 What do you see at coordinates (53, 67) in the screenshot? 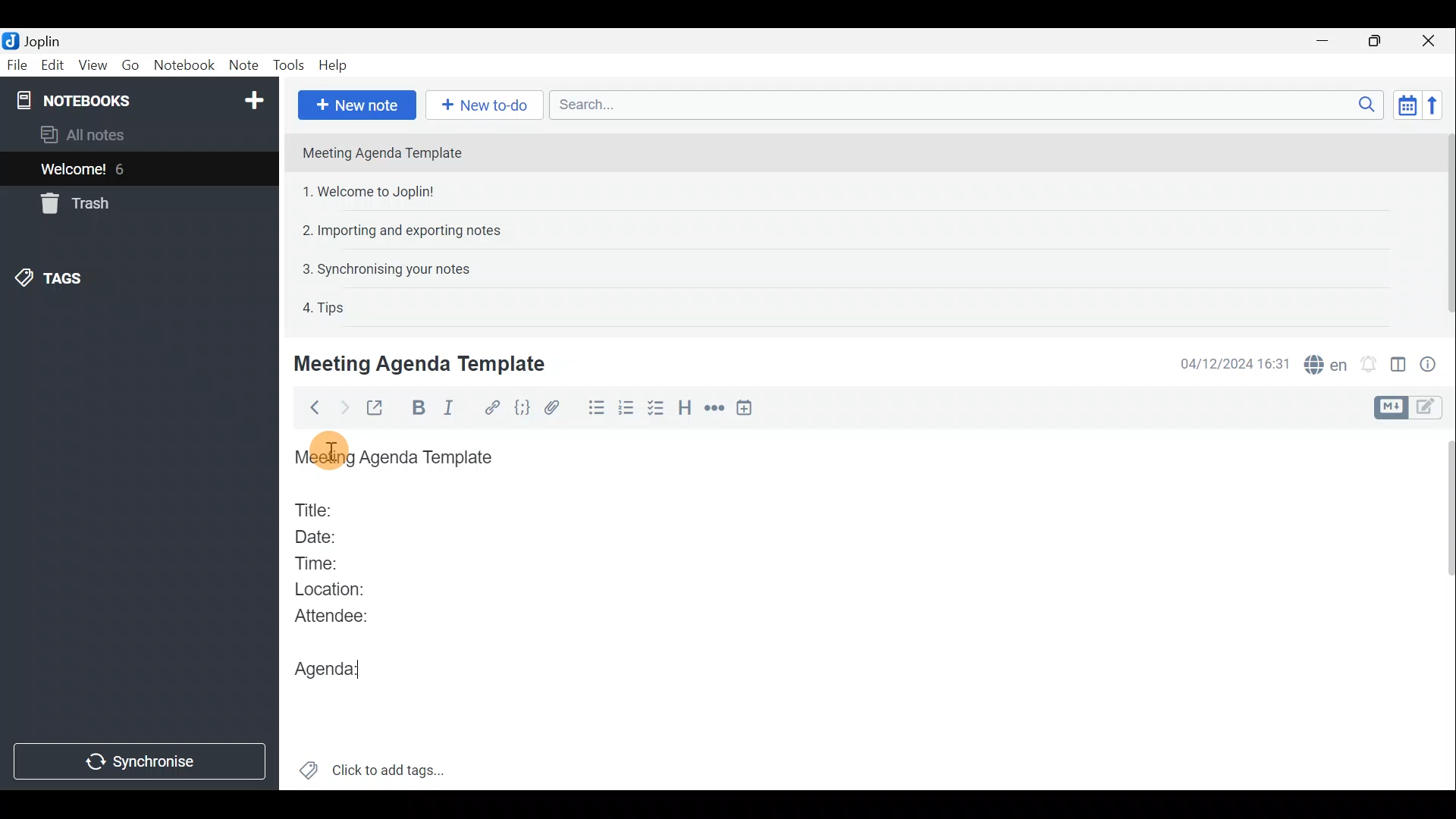
I see `Edit` at bounding box center [53, 67].